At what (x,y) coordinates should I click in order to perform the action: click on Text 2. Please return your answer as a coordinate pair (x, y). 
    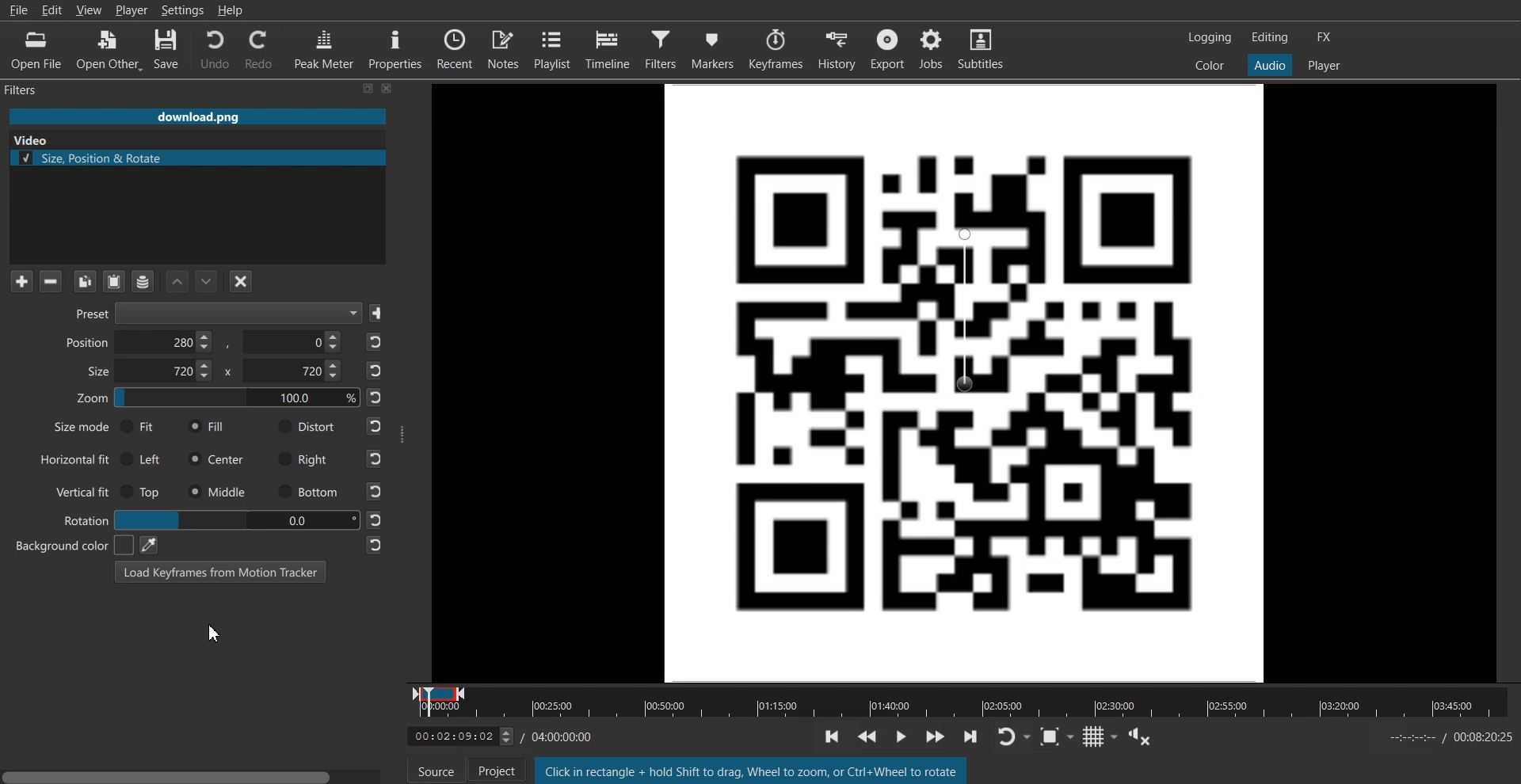
    Looking at the image, I should click on (750, 770).